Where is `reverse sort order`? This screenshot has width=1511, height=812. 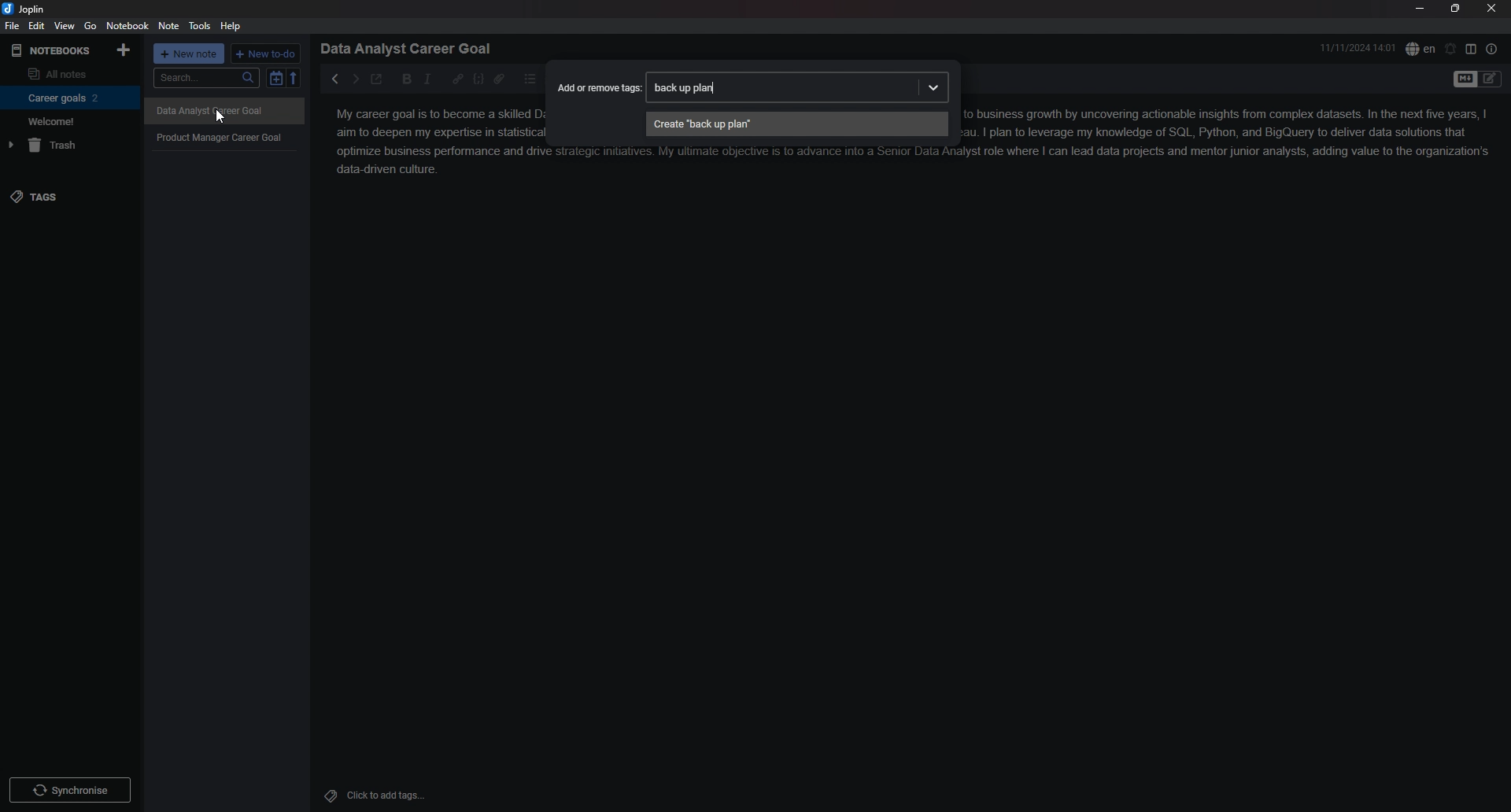 reverse sort order is located at coordinates (294, 77).